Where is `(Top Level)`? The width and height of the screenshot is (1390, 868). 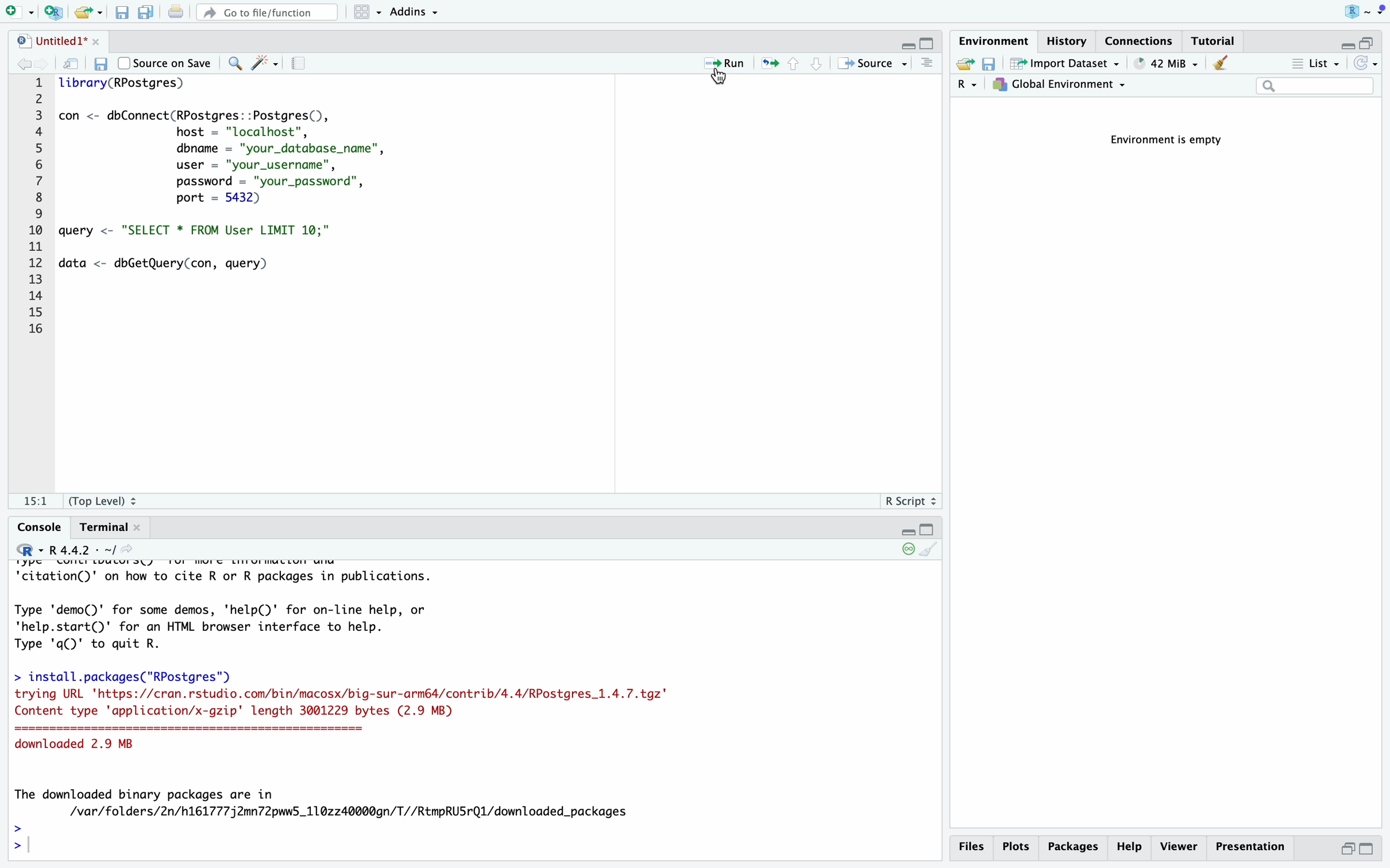 (Top Level) is located at coordinates (105, 501).